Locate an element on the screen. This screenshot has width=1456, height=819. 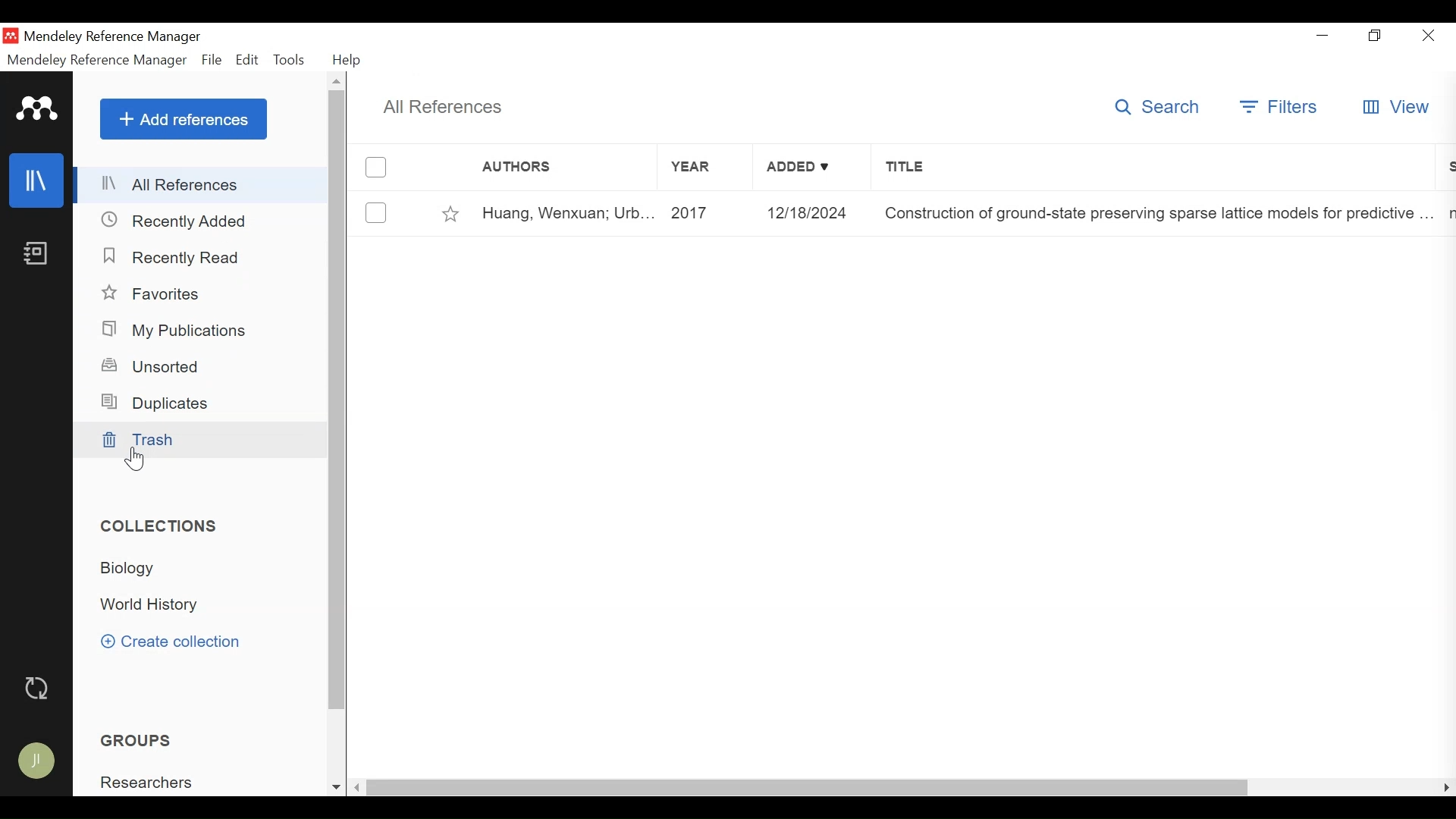
Researchers is located at coordinates (154, 783).